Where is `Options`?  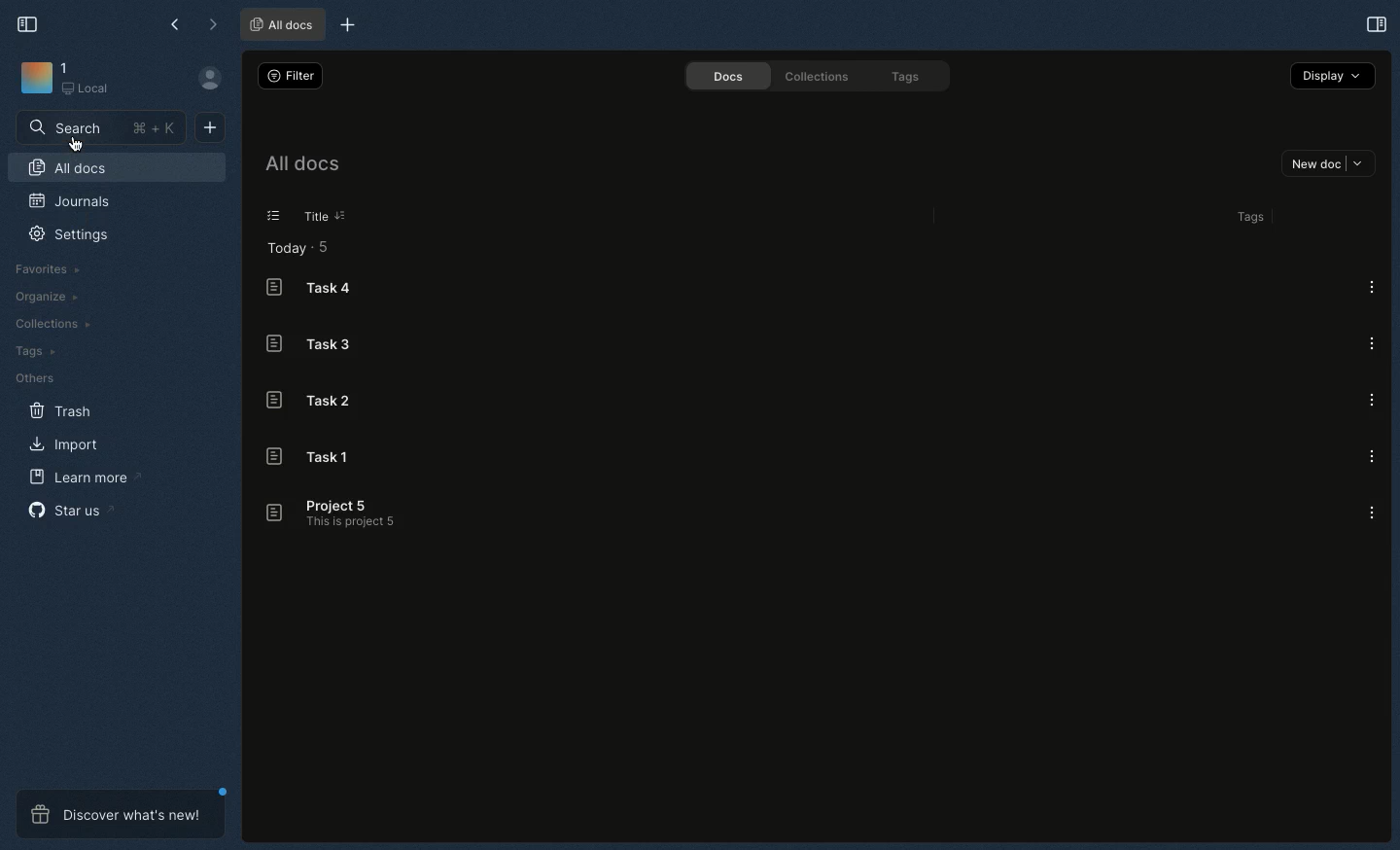 Options is located at coordinates (1374, 512).